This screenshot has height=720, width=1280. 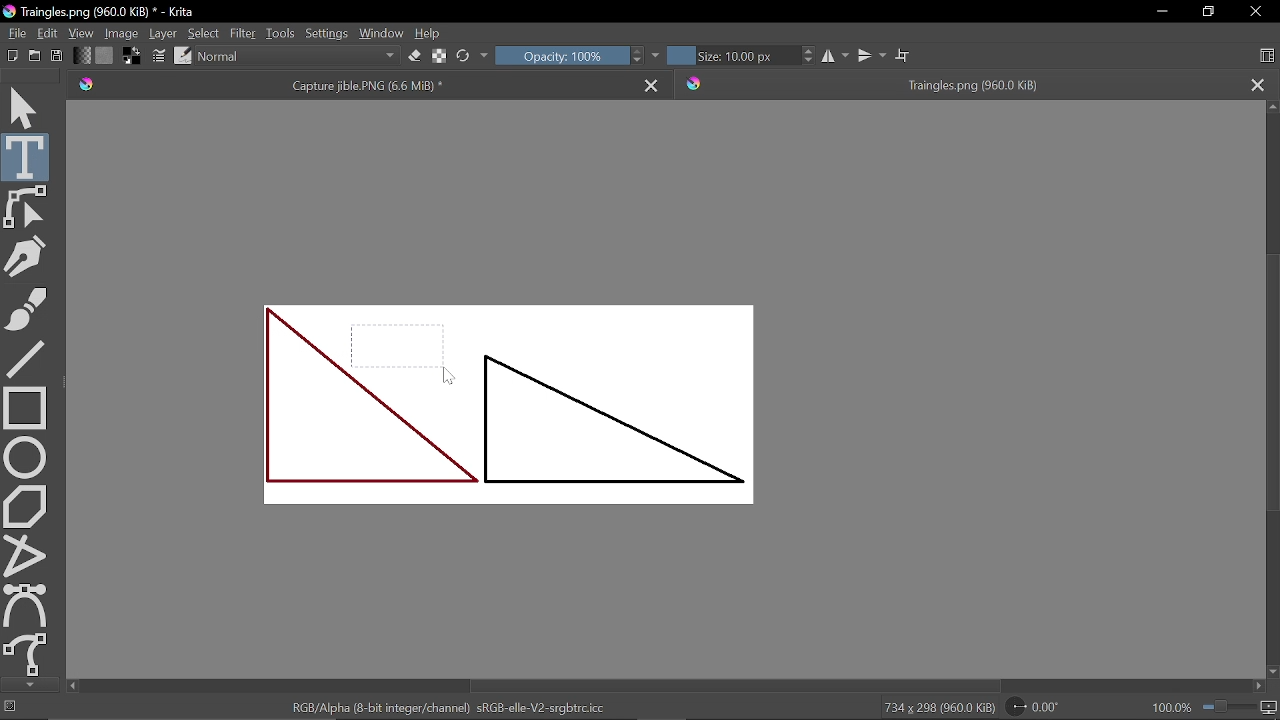 What do you see at coordinates (26, 157) in the screenshot?
I see `text tool` at bounding box center [26, 157].